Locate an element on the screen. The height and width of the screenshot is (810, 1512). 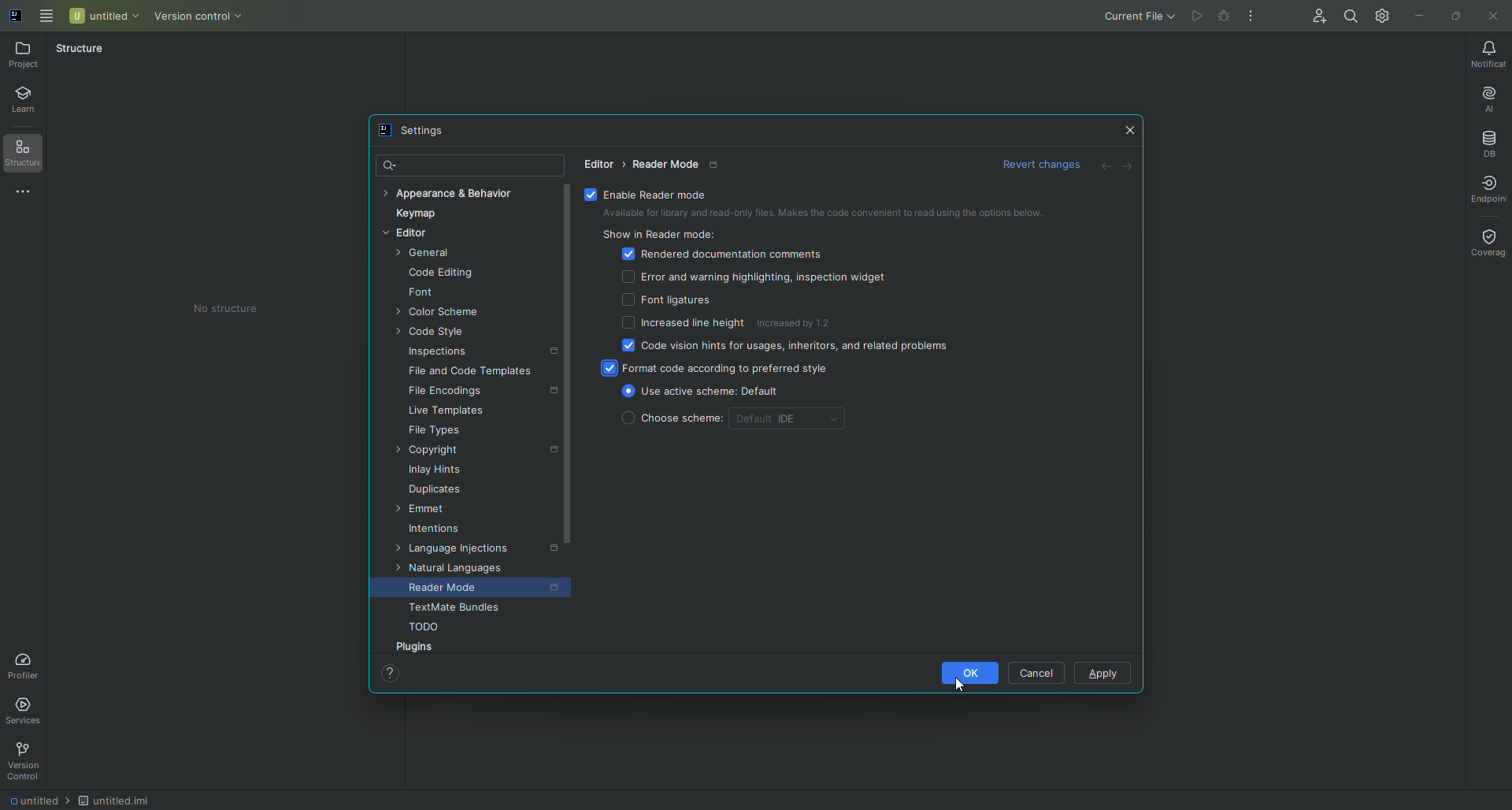
Cursor is located at coordinates (966, 684).